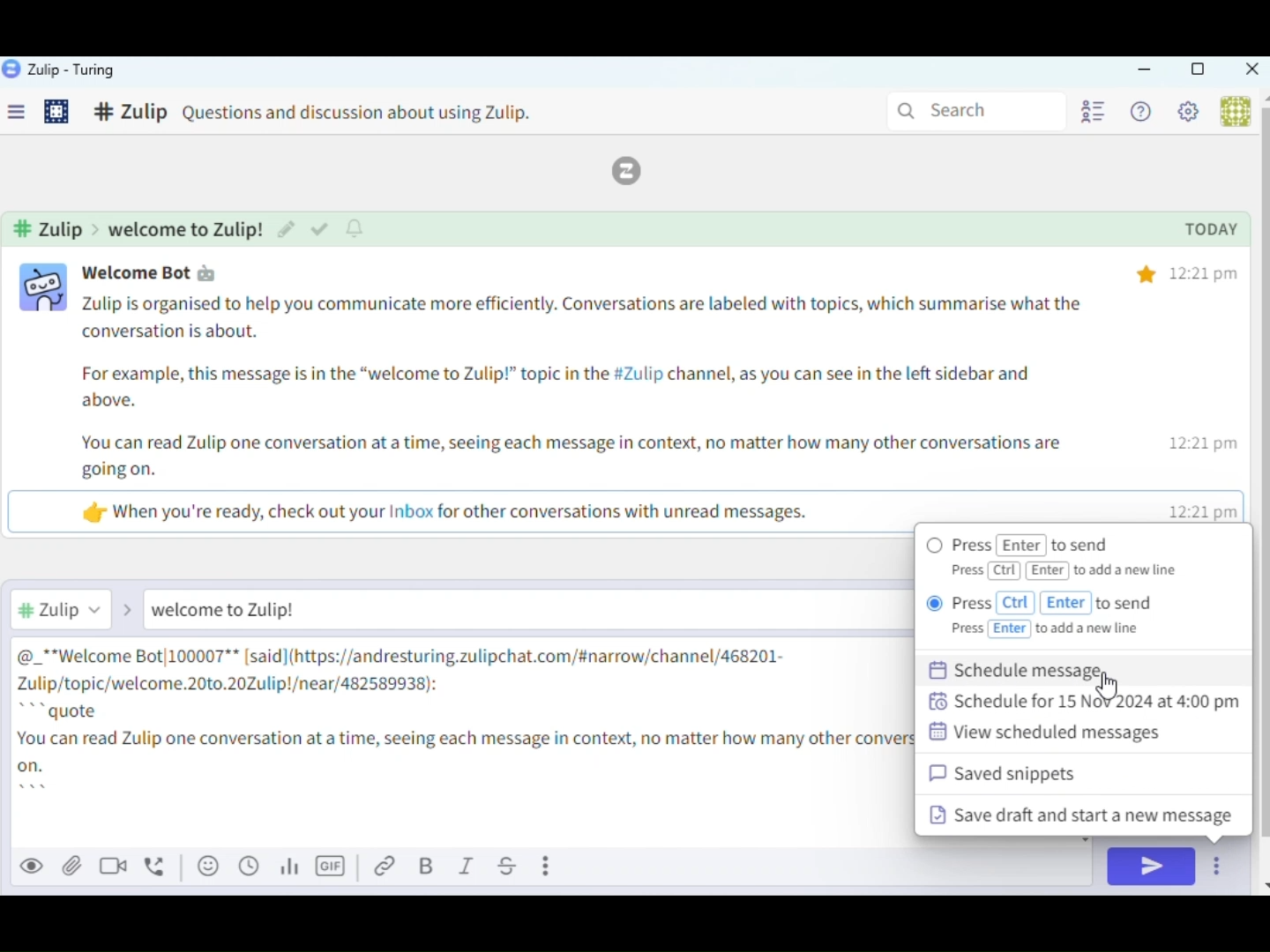 This screenshot has height=952, width=1270. I want to click on Schedule for 15 Nov 2024 at 4:00PM, so click(1087, 704).